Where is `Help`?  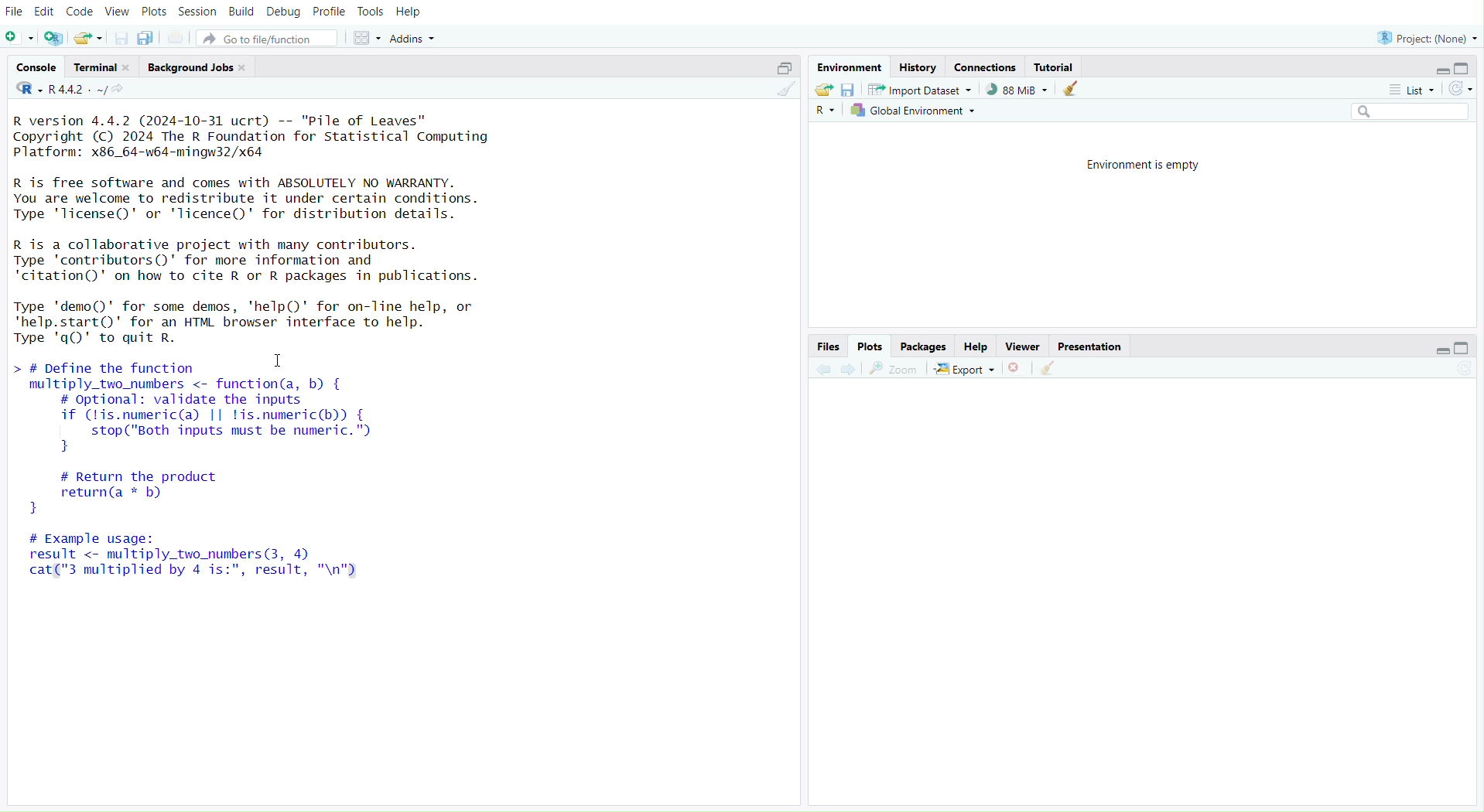 Help is located at coordinates (414, 12).